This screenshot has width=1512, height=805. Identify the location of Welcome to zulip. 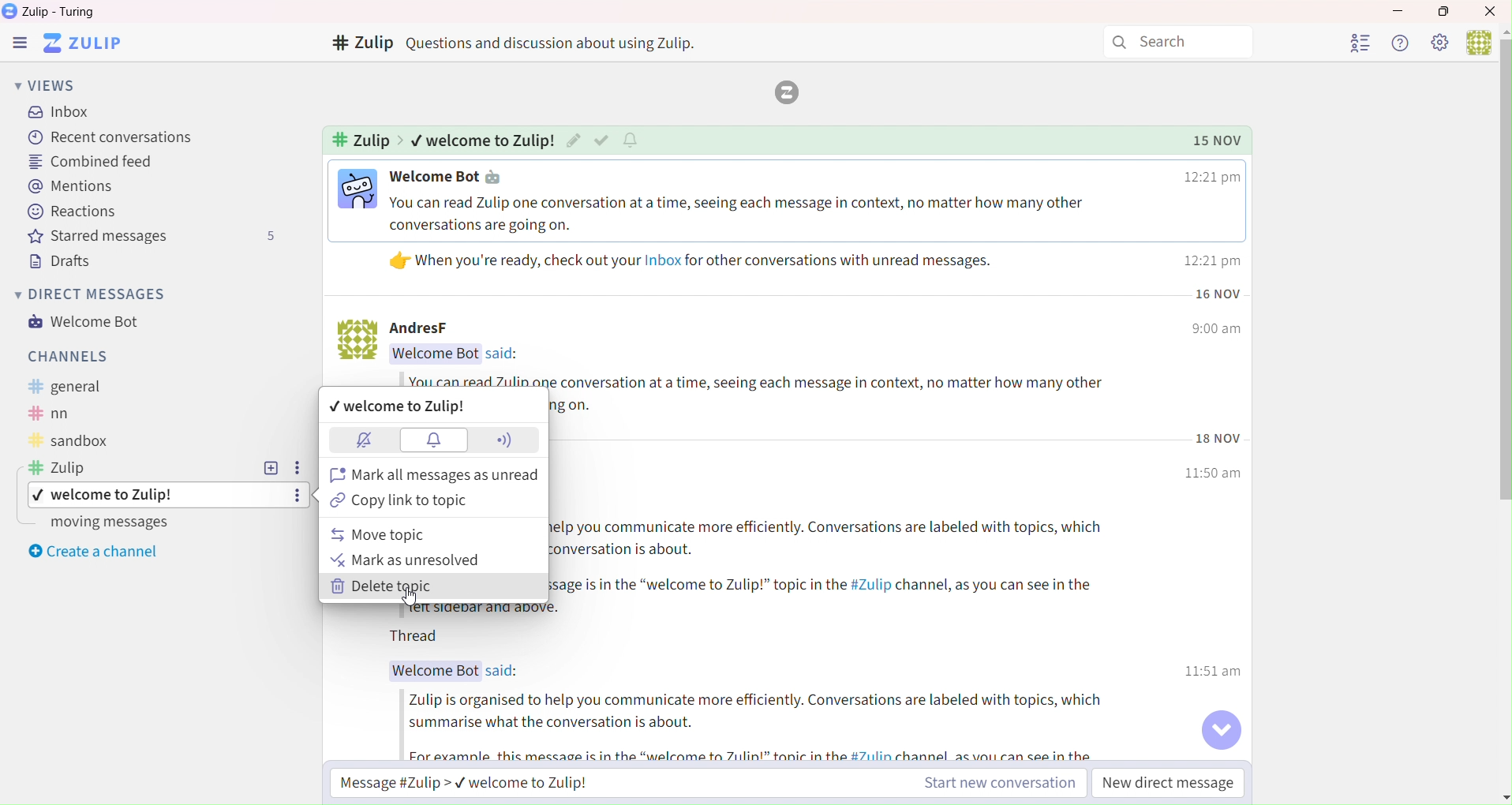
(400, 405).